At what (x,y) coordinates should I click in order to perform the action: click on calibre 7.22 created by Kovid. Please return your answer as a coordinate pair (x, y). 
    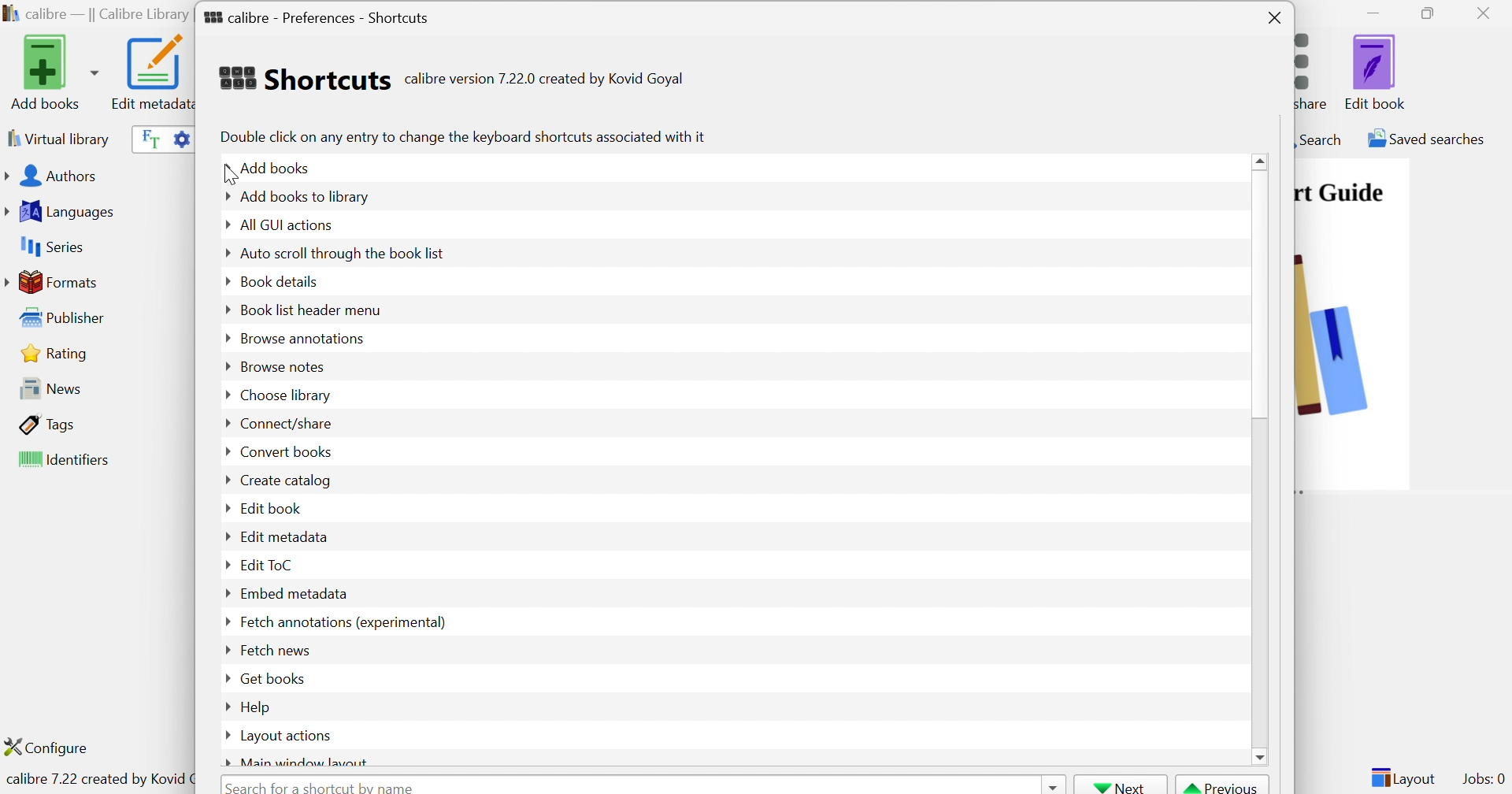
    Looking at the image, I should click on (97, 781).